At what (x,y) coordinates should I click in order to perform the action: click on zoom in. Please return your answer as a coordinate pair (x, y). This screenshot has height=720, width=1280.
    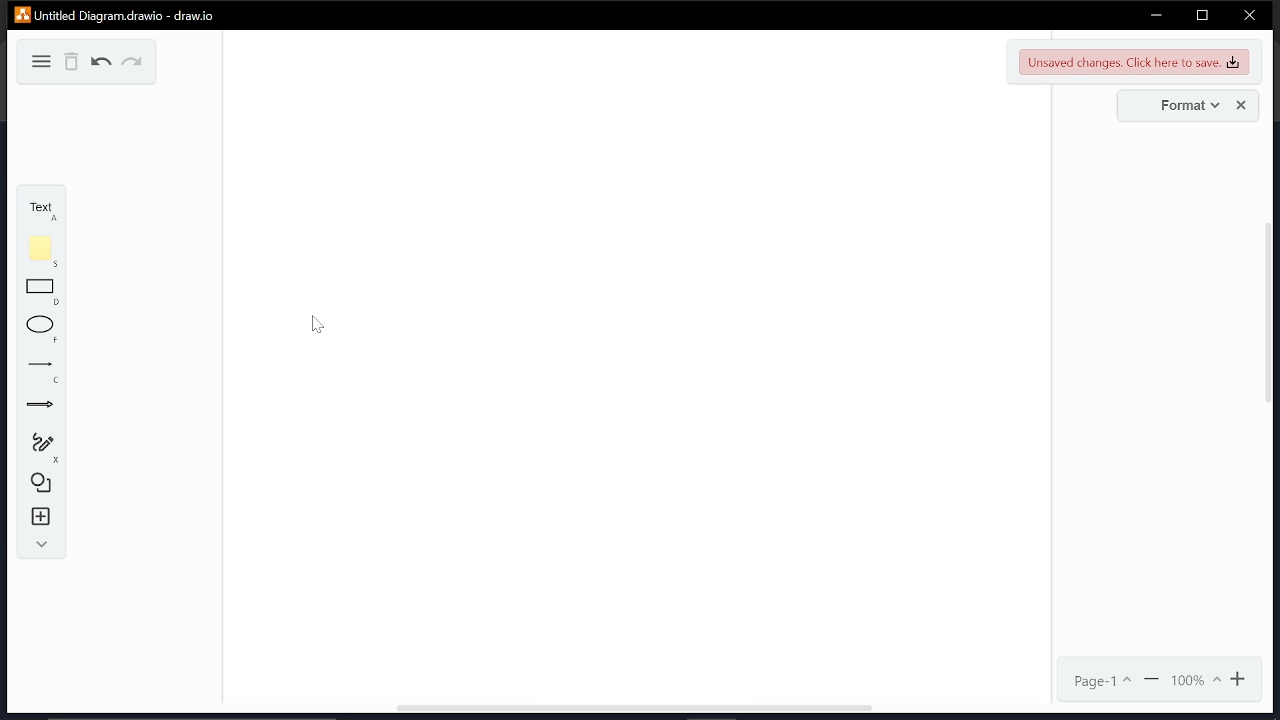
    Looking at the image, I should click on (1241, 679).